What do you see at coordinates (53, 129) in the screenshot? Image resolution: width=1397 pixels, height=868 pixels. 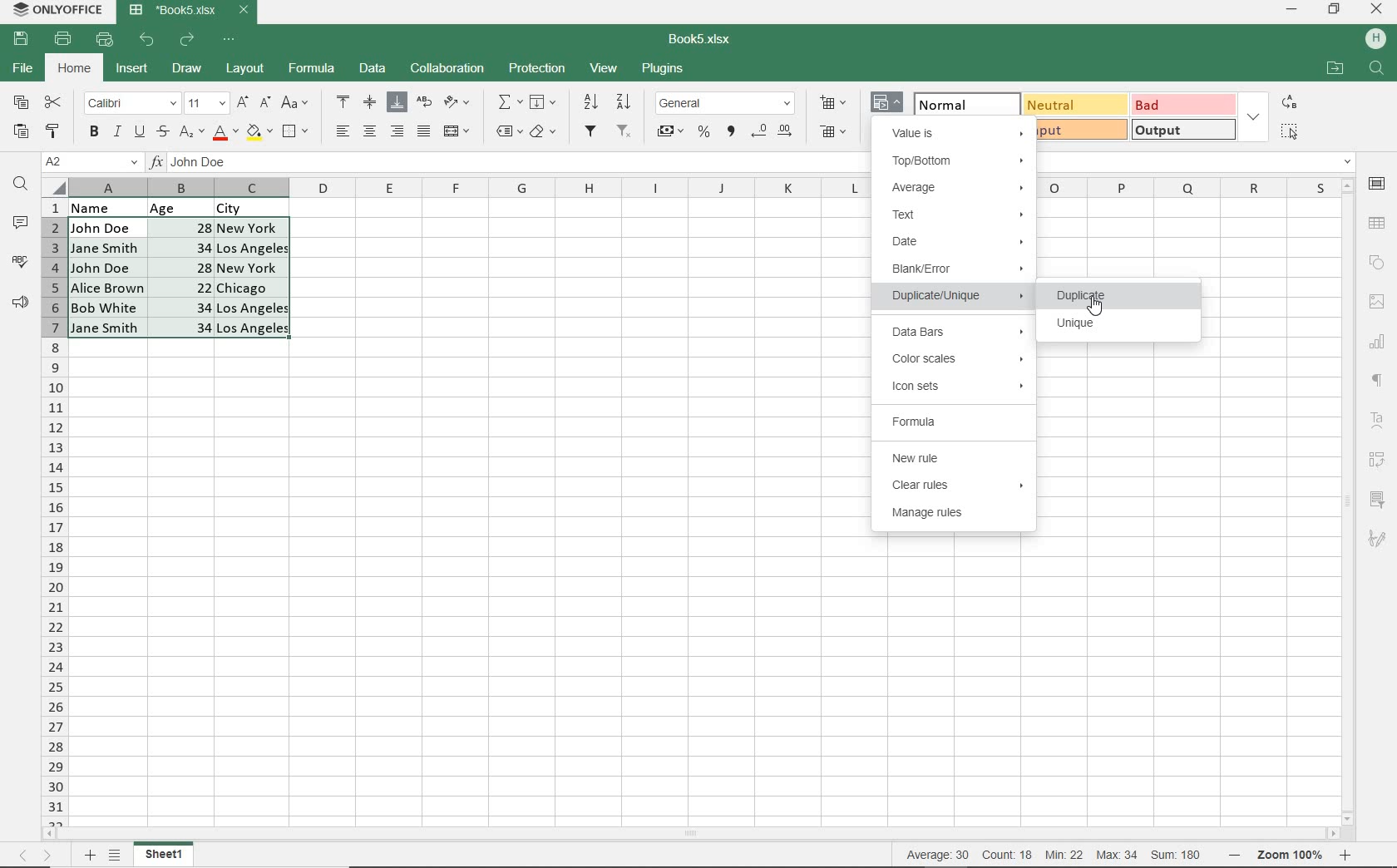 I see `COPY STYLE` at bounding box center [53, 129].